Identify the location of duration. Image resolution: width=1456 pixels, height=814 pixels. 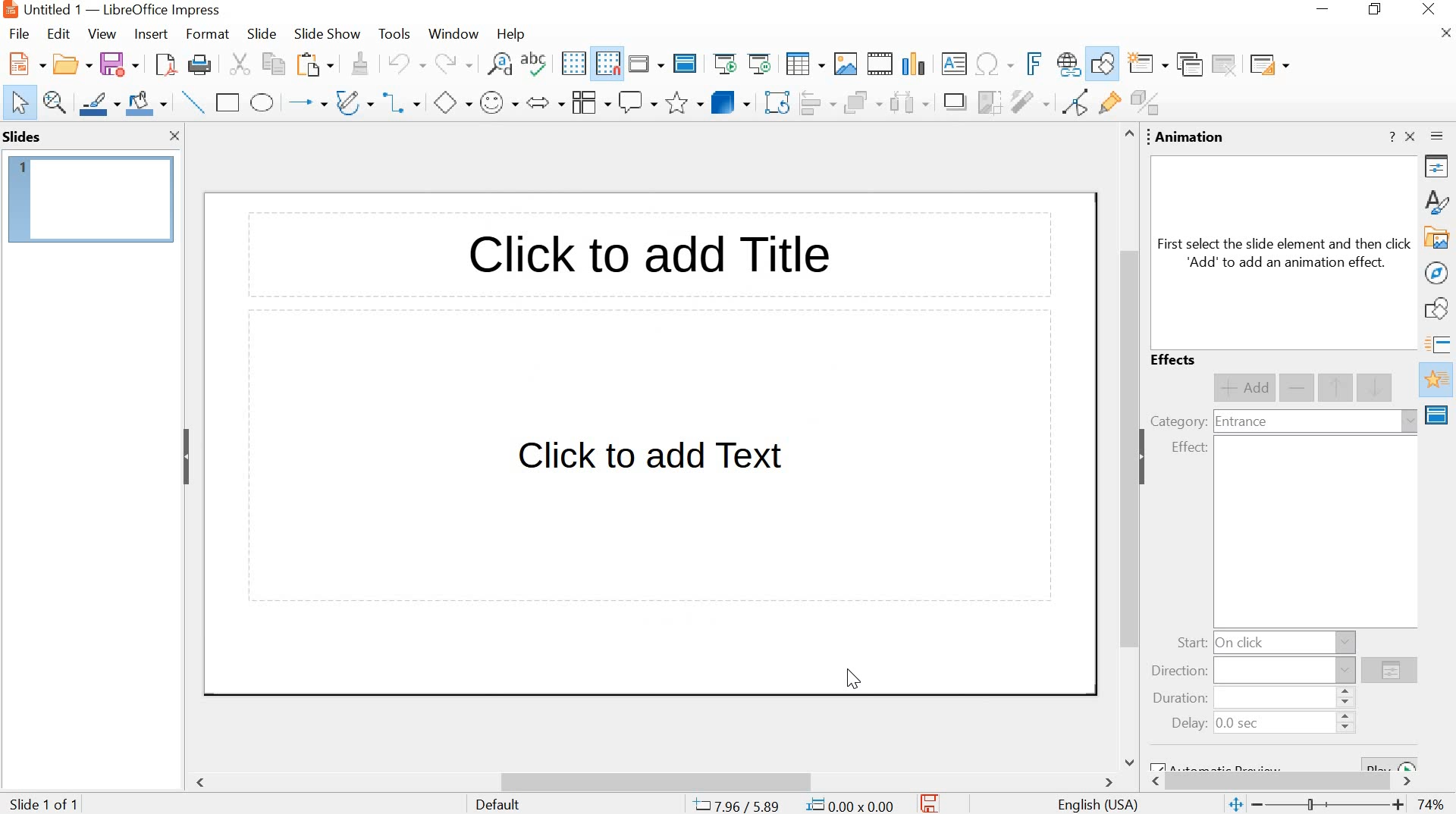
(1176, 700).